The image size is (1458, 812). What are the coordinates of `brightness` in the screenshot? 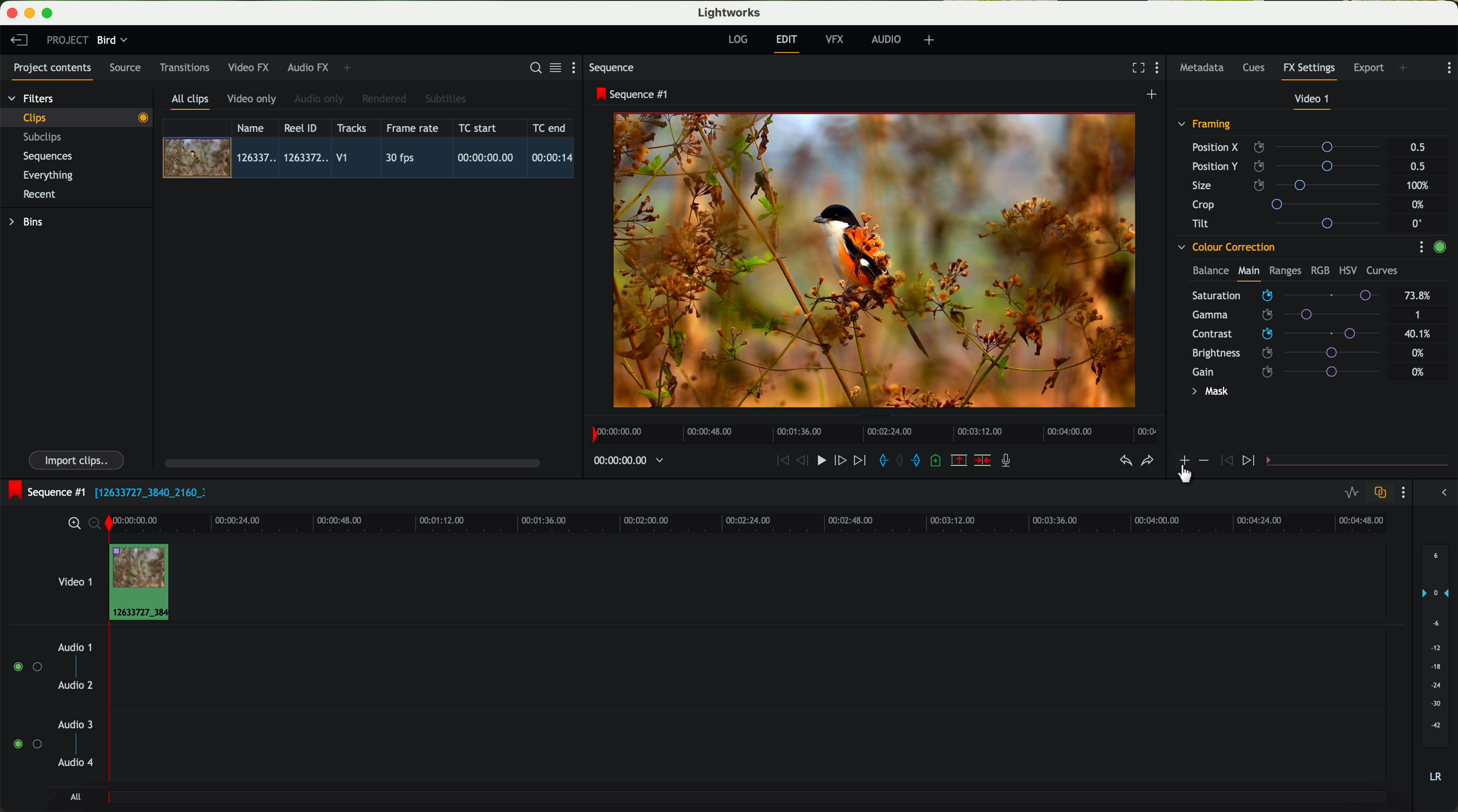 It's located at (1293, 353).